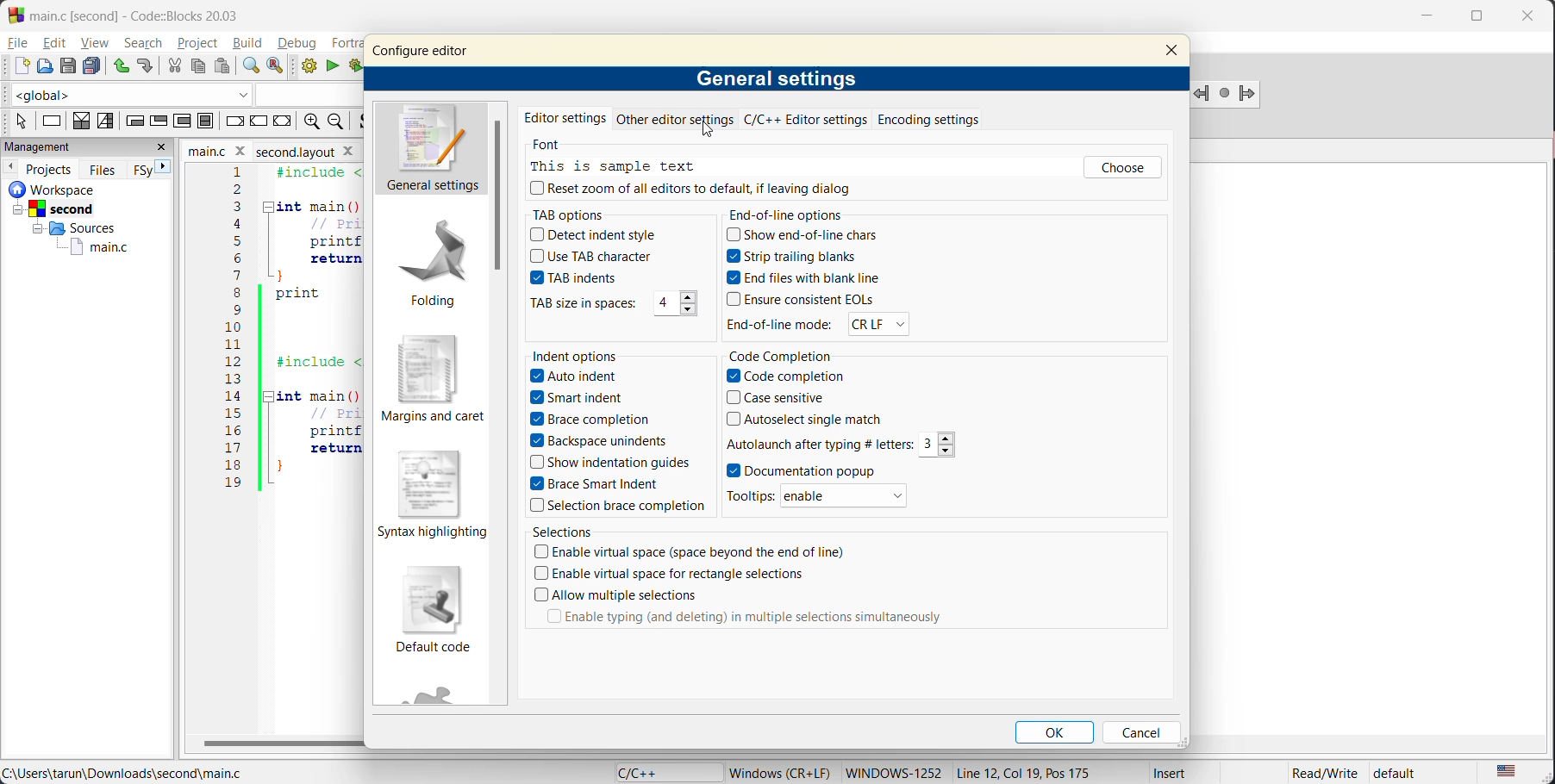 This screenshot has height=784, width=1555. What do you see at coordinates (269, 340) in the screenshot?
I see `code editor` at bounding box center [269, 340].